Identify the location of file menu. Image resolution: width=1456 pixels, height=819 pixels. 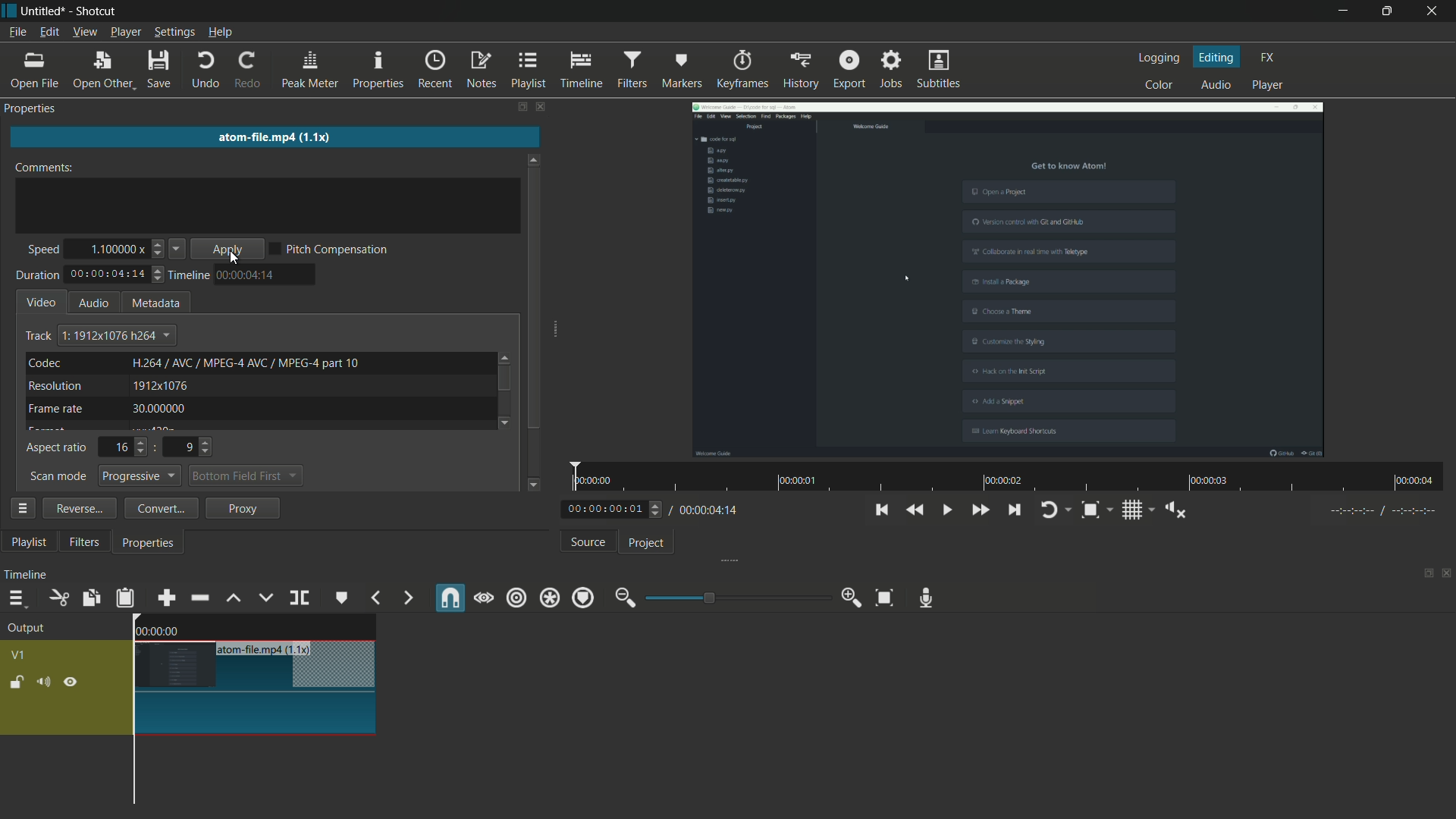
(18, 32).